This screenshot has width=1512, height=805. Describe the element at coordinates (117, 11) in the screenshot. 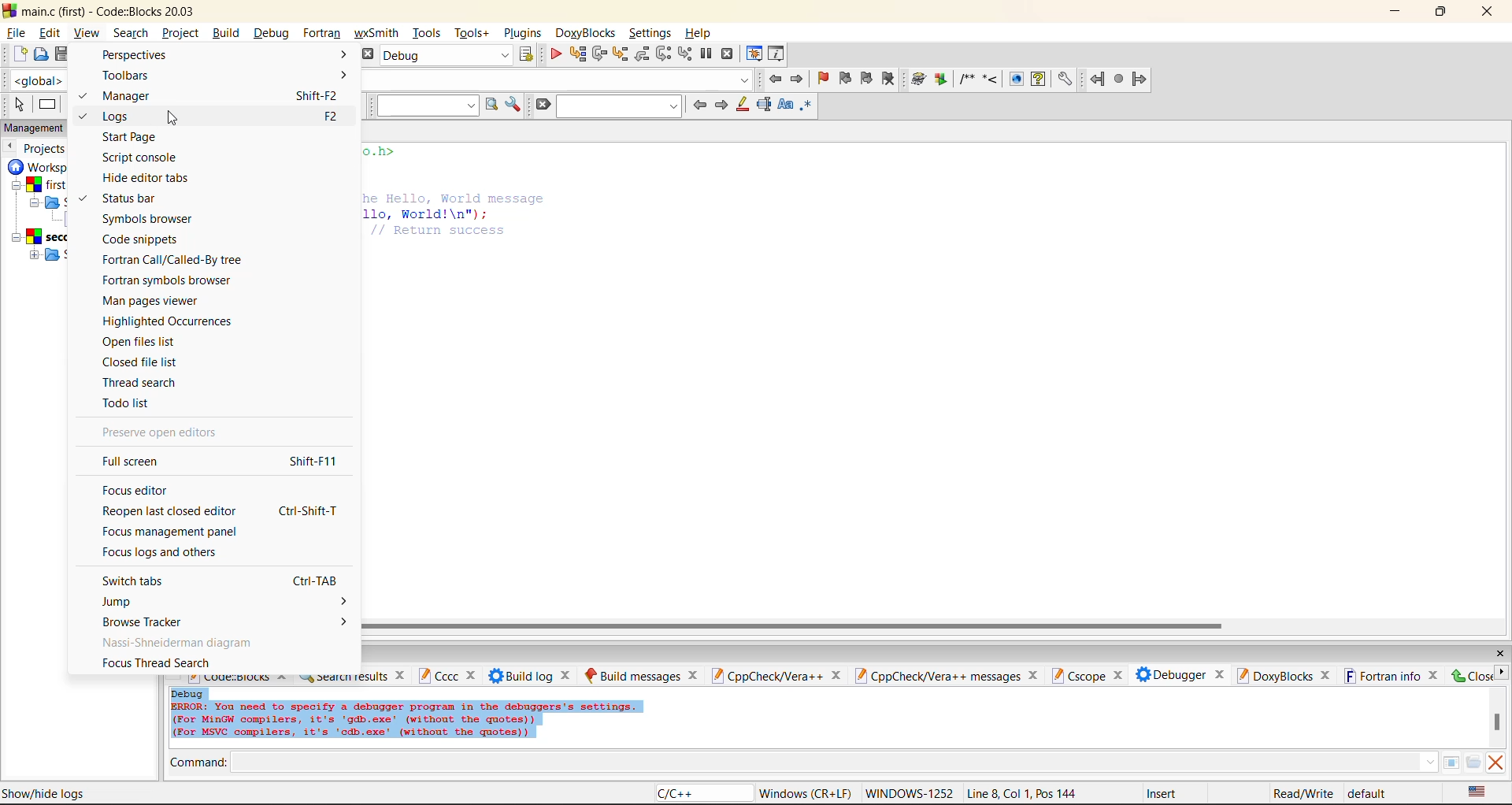

I see `app name and file name` at that location.